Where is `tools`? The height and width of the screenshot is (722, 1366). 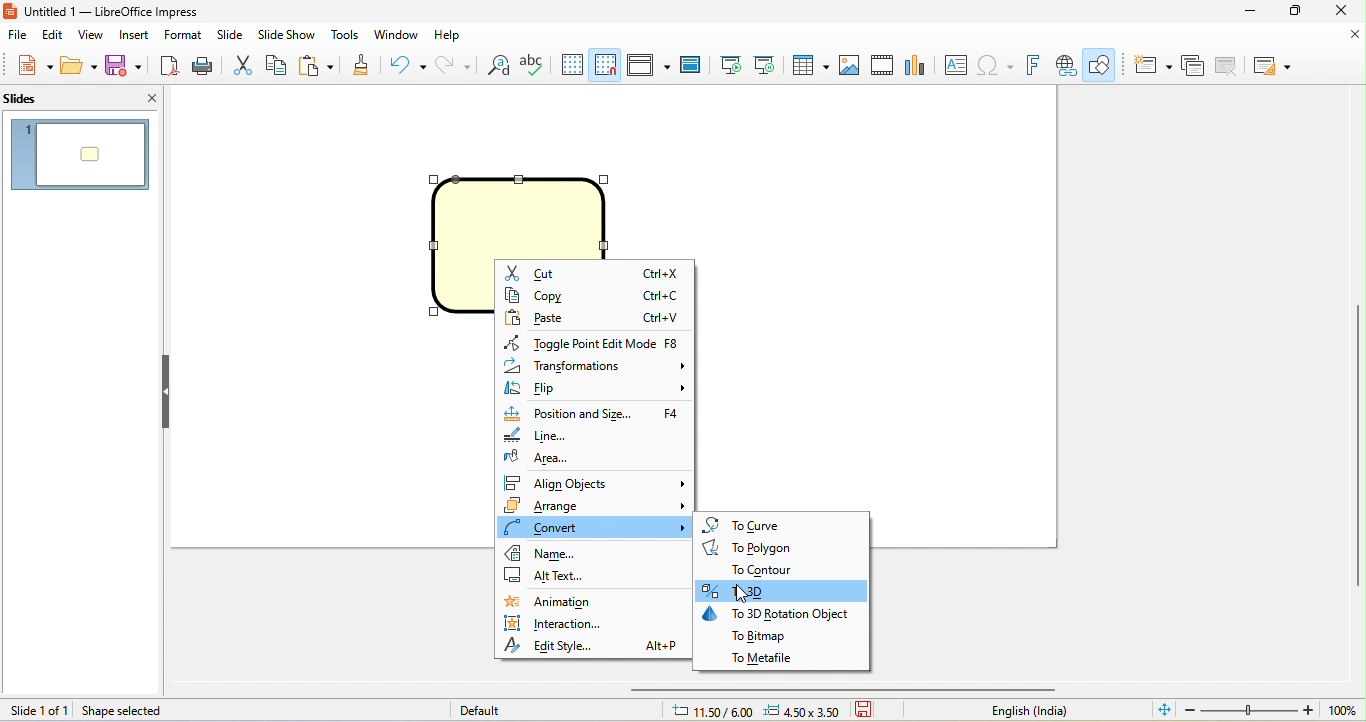
tools is located at coordinates (345, 36).